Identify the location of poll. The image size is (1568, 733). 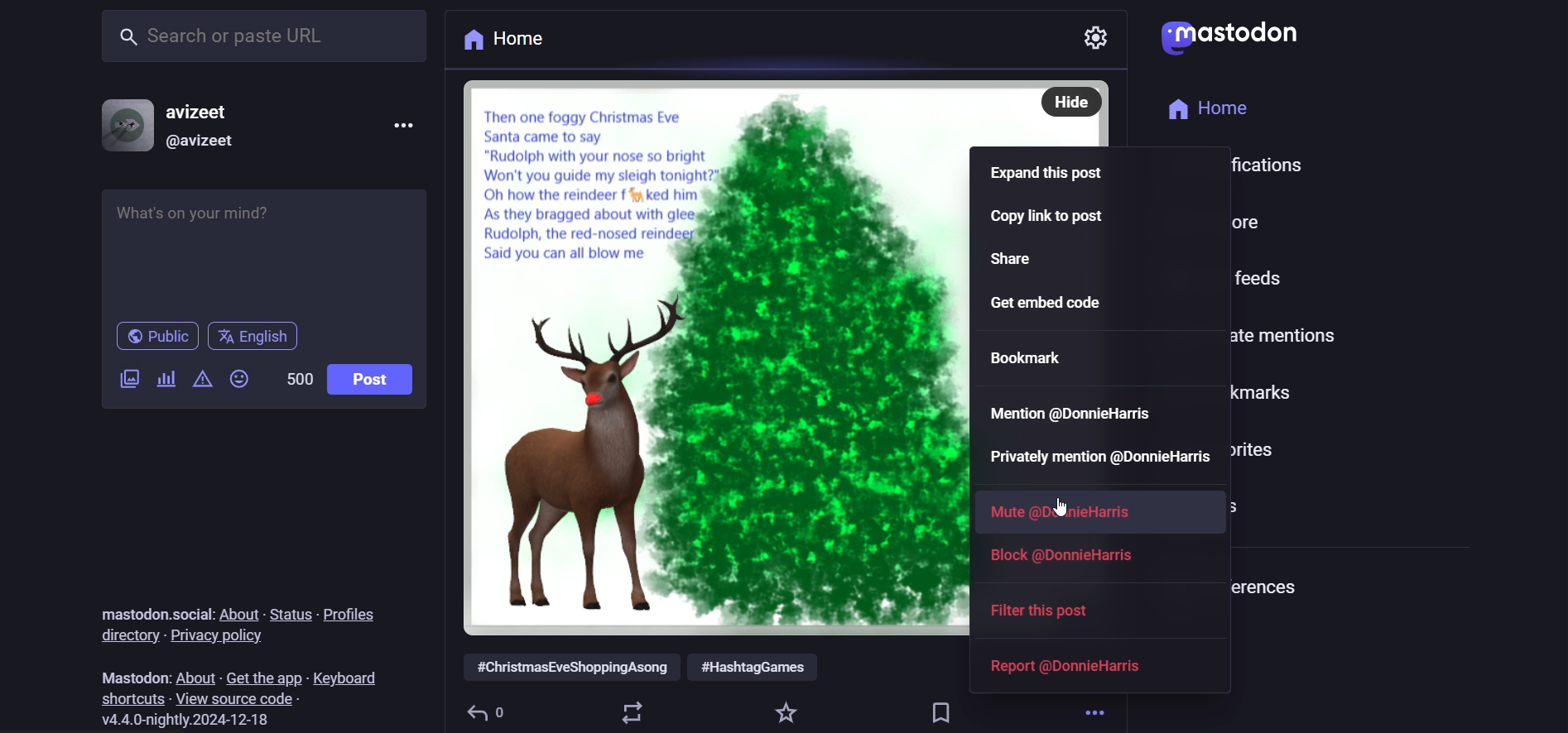
(165, 378).